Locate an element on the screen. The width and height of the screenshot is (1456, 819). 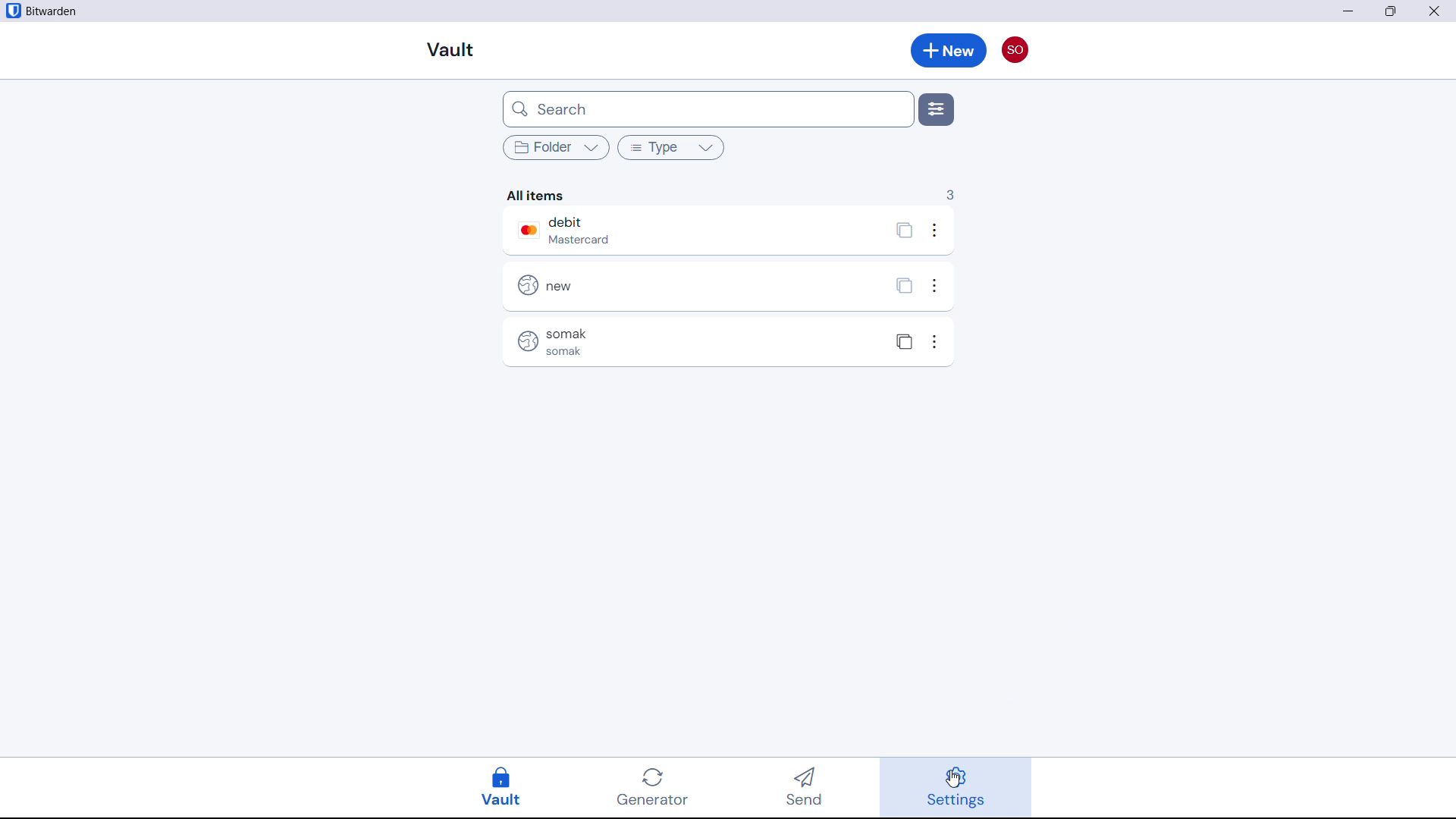
Maximise  is located at coordinates (1392, 11).